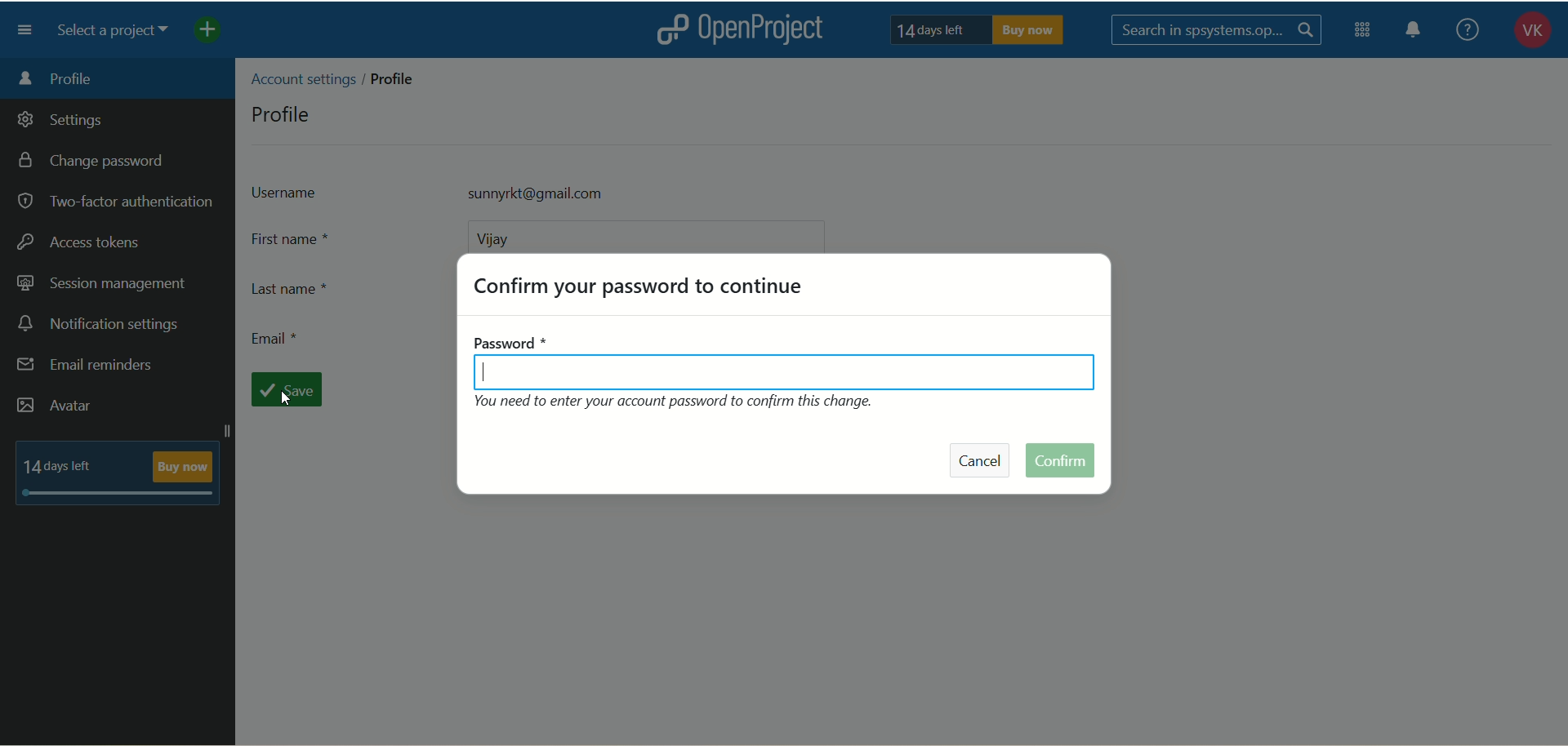  What do you see at coordinates (100, 325) in the screenshot?
I see `notification settings` at bounding box center [100, 325].